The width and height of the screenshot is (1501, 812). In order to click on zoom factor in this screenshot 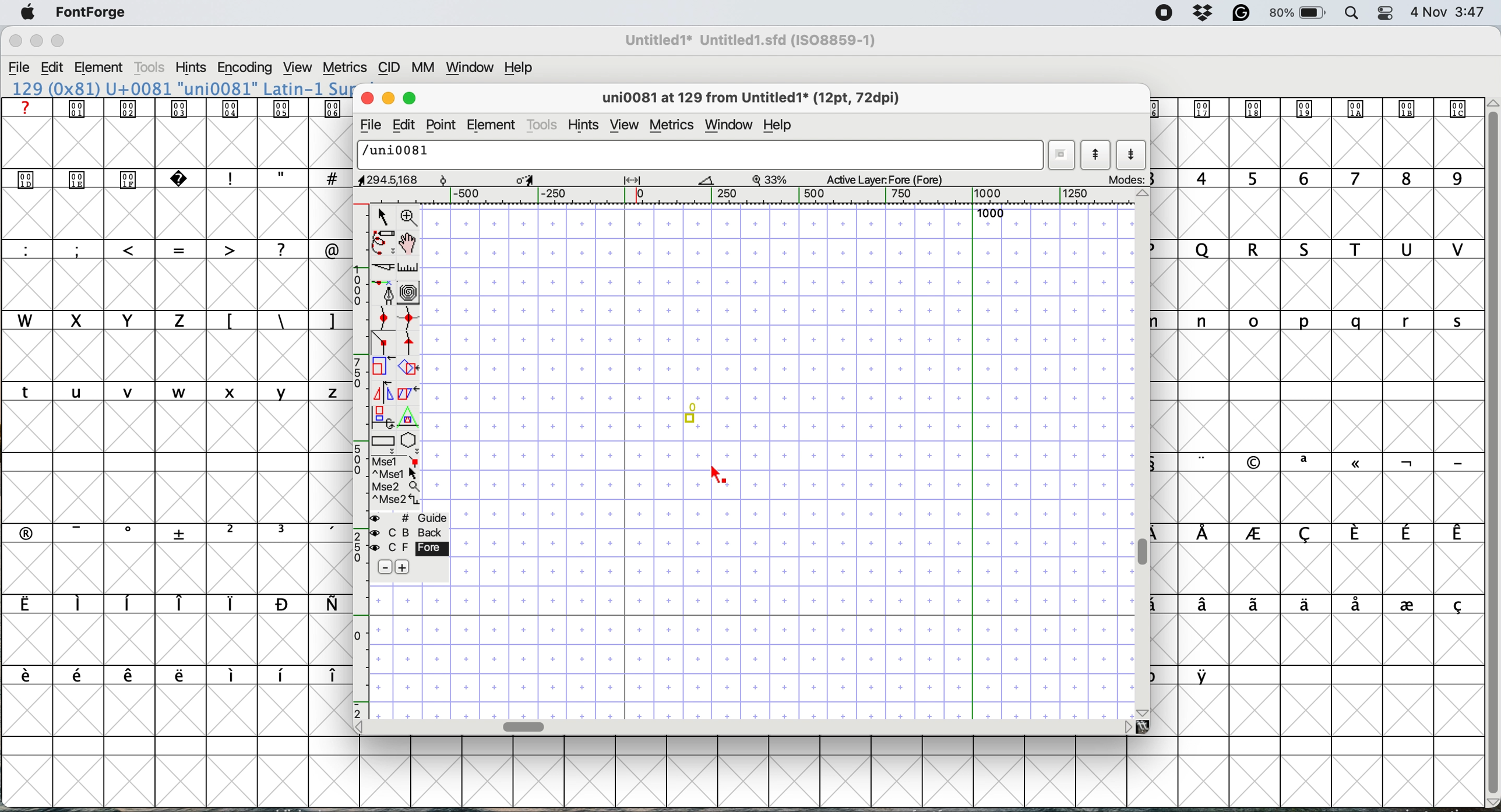, I will do `click(771, 181)`.